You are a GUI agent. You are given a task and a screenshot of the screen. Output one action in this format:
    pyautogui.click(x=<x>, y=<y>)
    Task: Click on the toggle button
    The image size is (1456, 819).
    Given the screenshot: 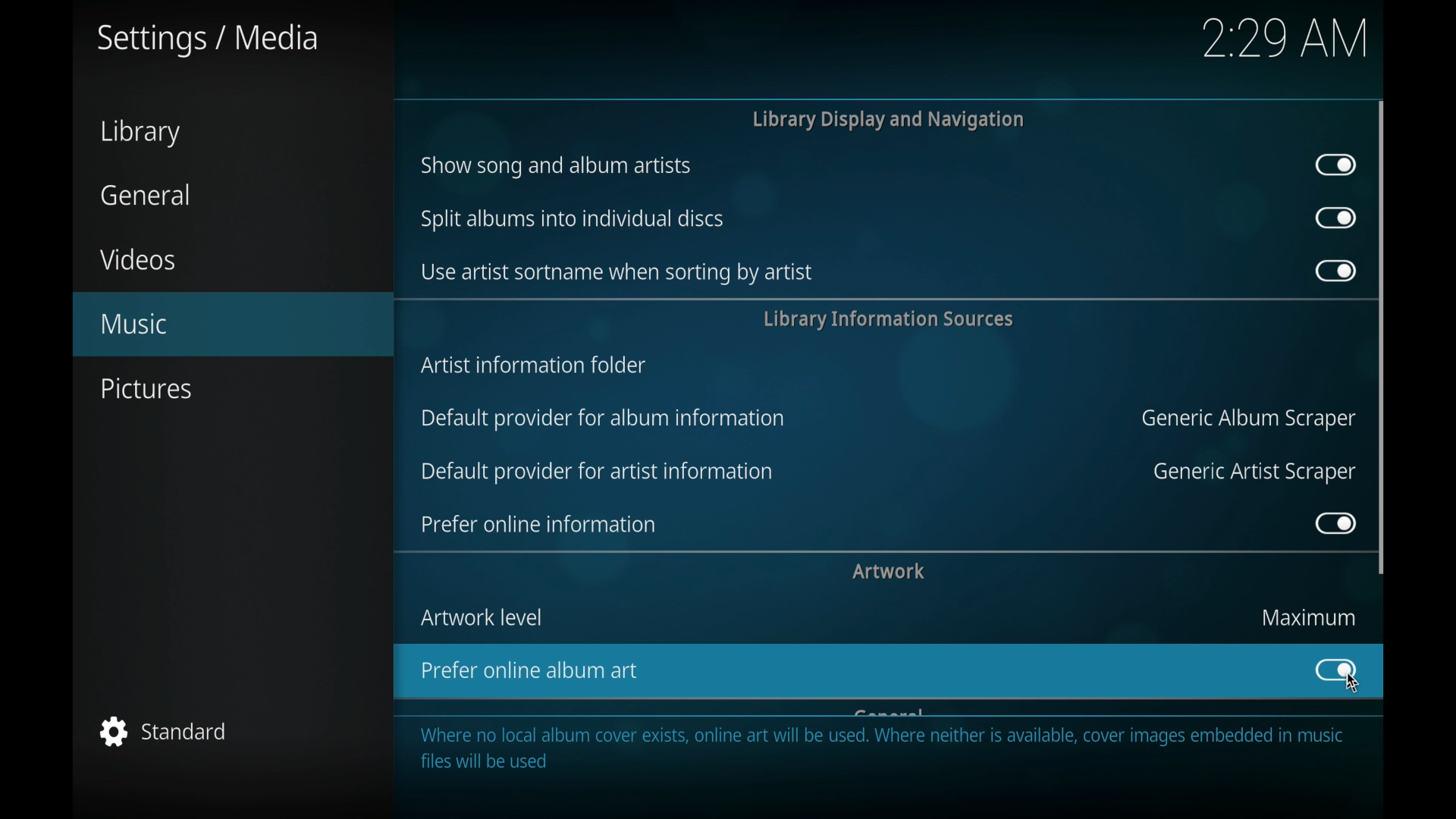 What is the action you would take?
    pyautogui.click(x=1335, y=271)
    